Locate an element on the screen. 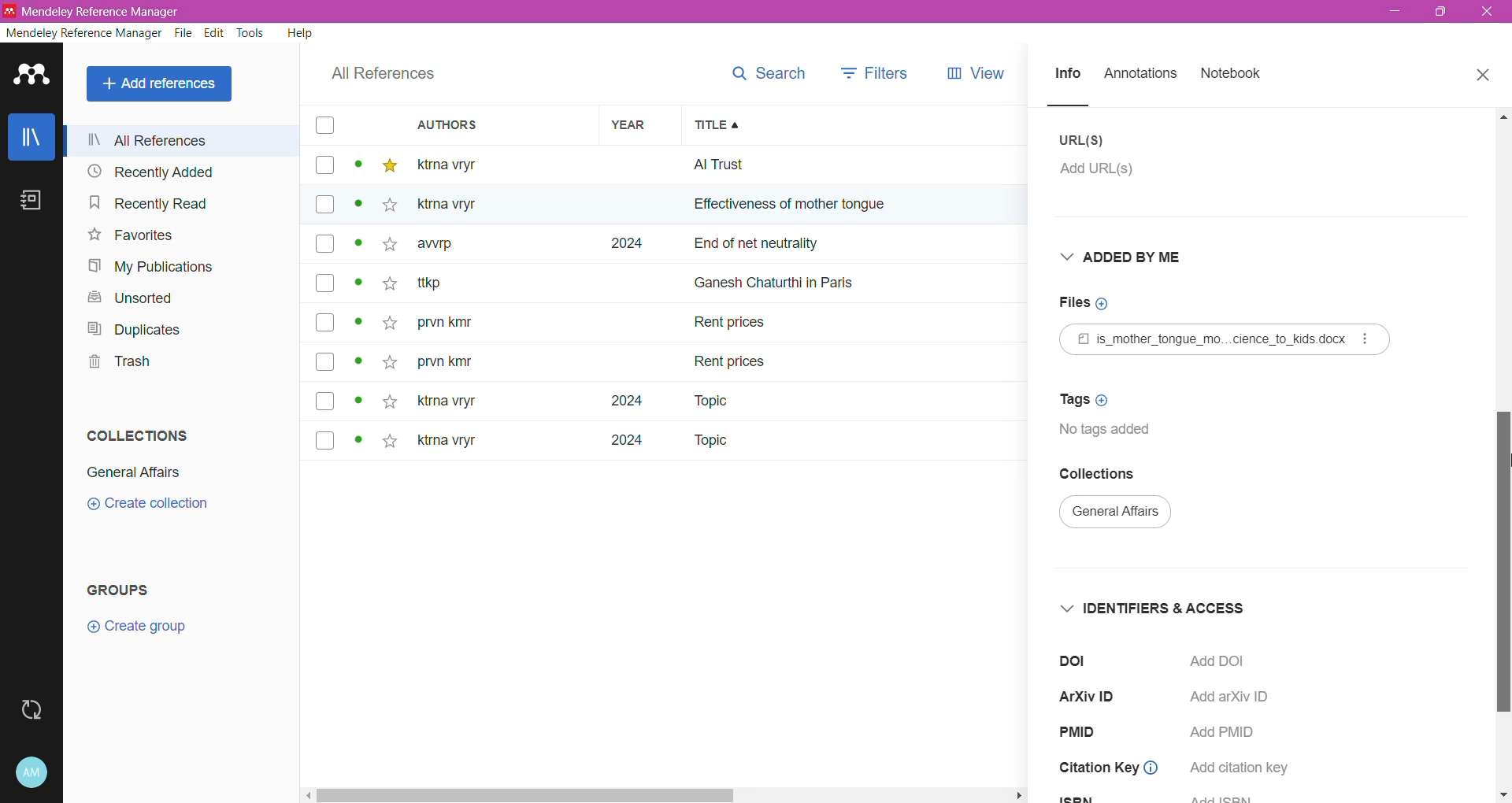 The width and height of the screenshot is (1512, 803). star is located at coordinates (389, 443).